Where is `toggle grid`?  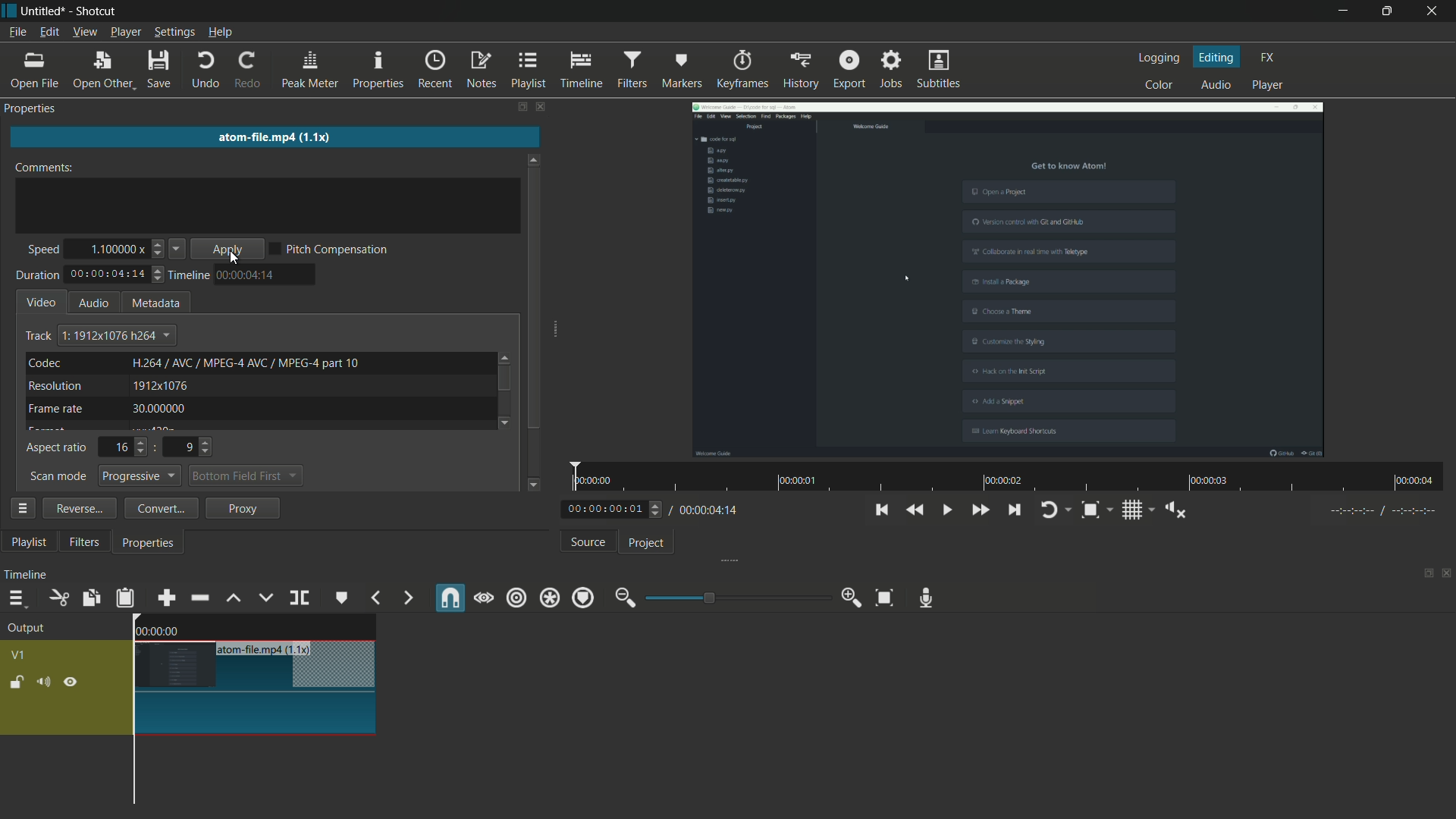
toggle grid is located at coordinates (1131, 510).